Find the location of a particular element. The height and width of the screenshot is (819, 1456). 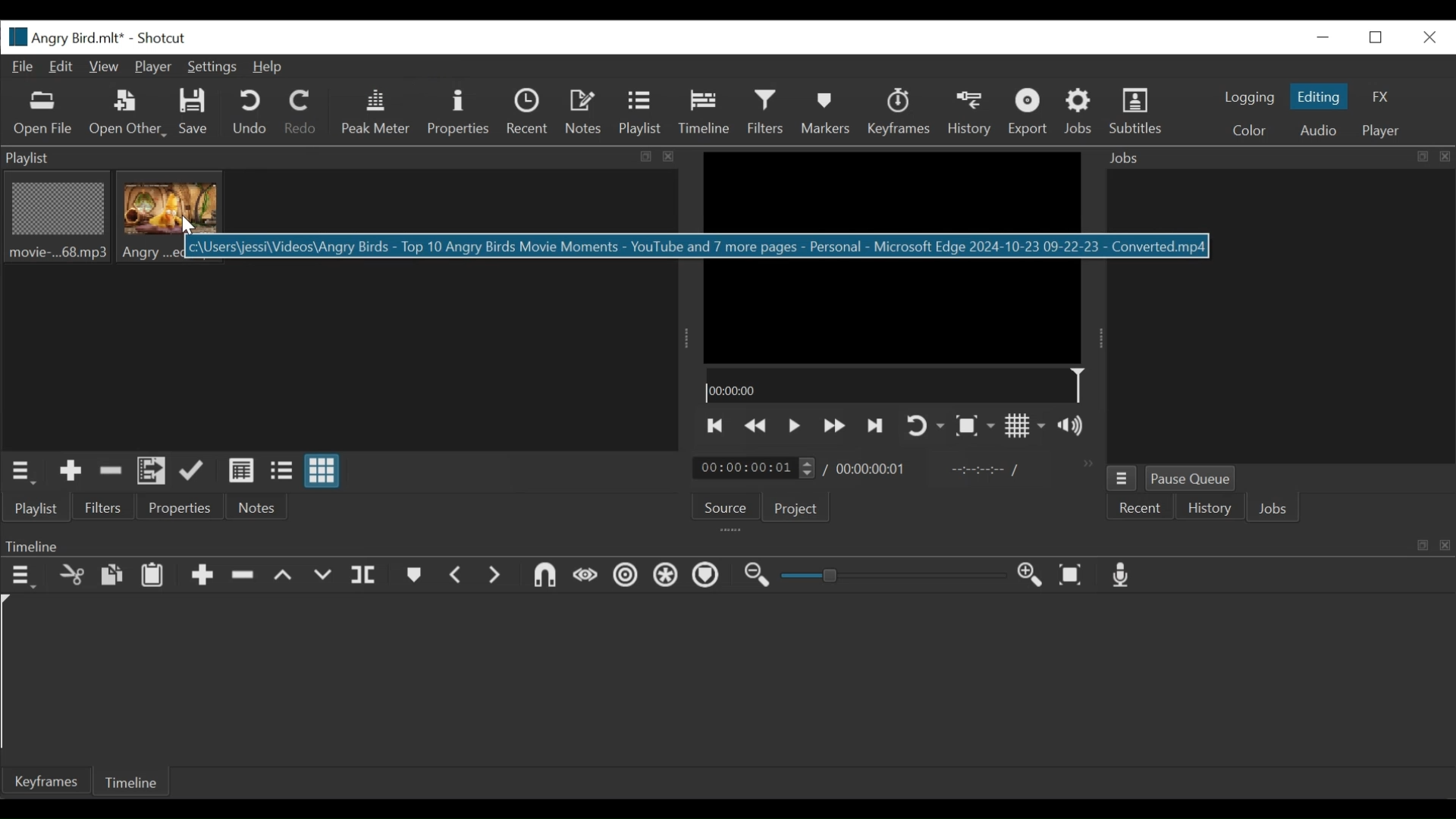

Cut is located at coordinates (71, 576).